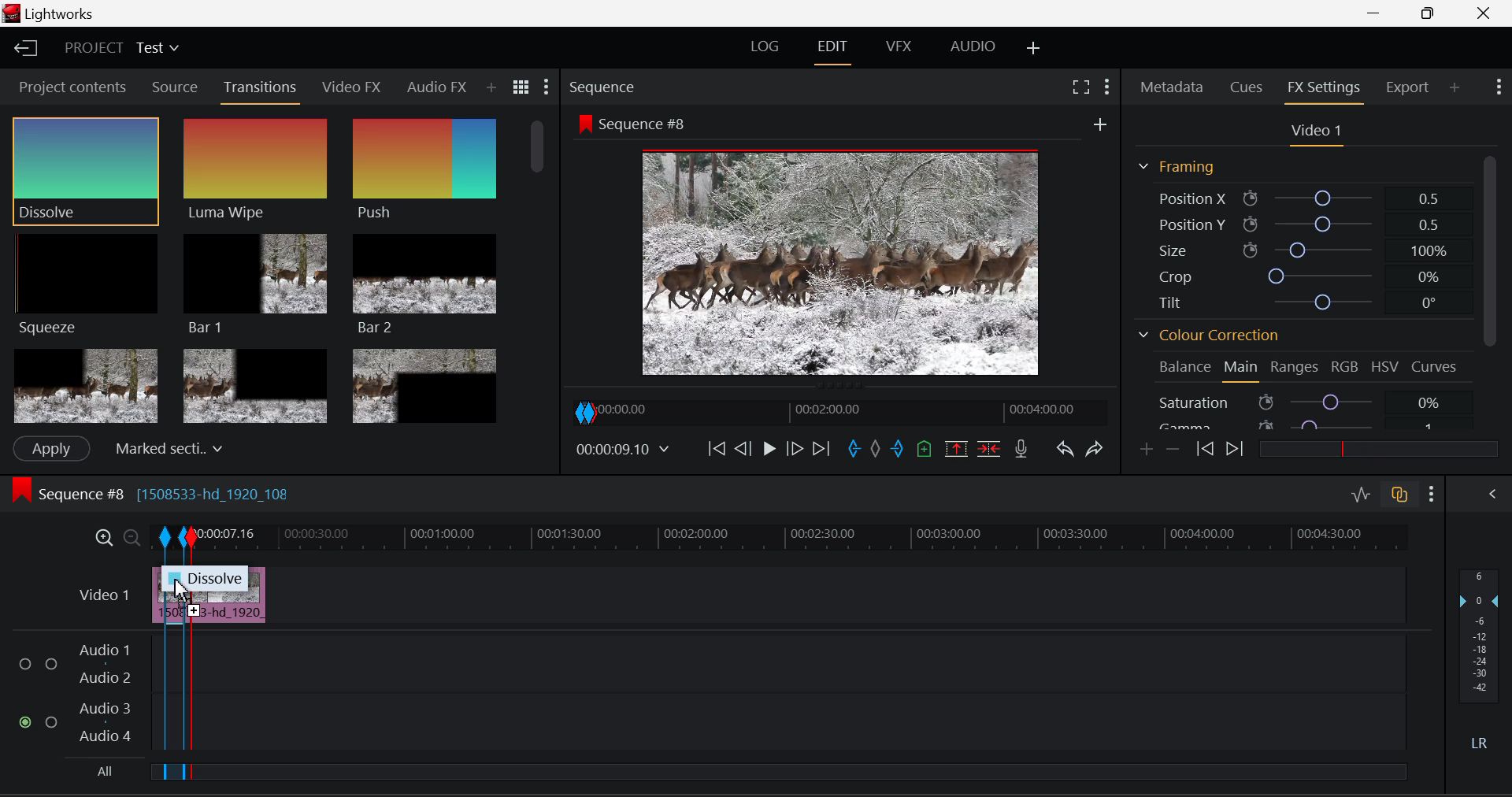 The width and height of the screenshot is (1512, 797). I want to click on Sequence #8 Preview Screen, so click(841, 246).